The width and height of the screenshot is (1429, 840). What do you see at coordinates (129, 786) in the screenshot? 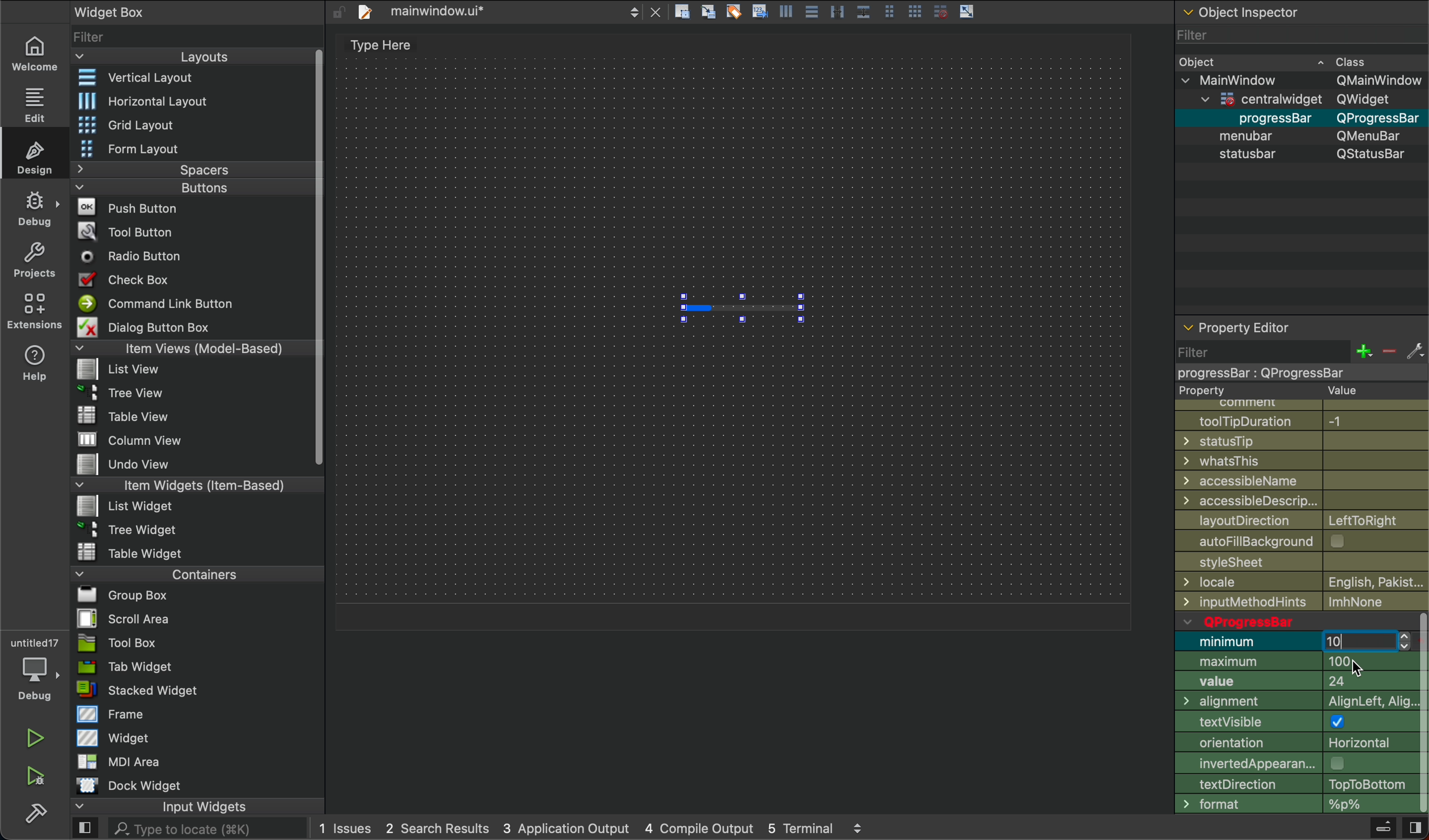
I see `Dock WIdget` at bounding box center [129, 786].